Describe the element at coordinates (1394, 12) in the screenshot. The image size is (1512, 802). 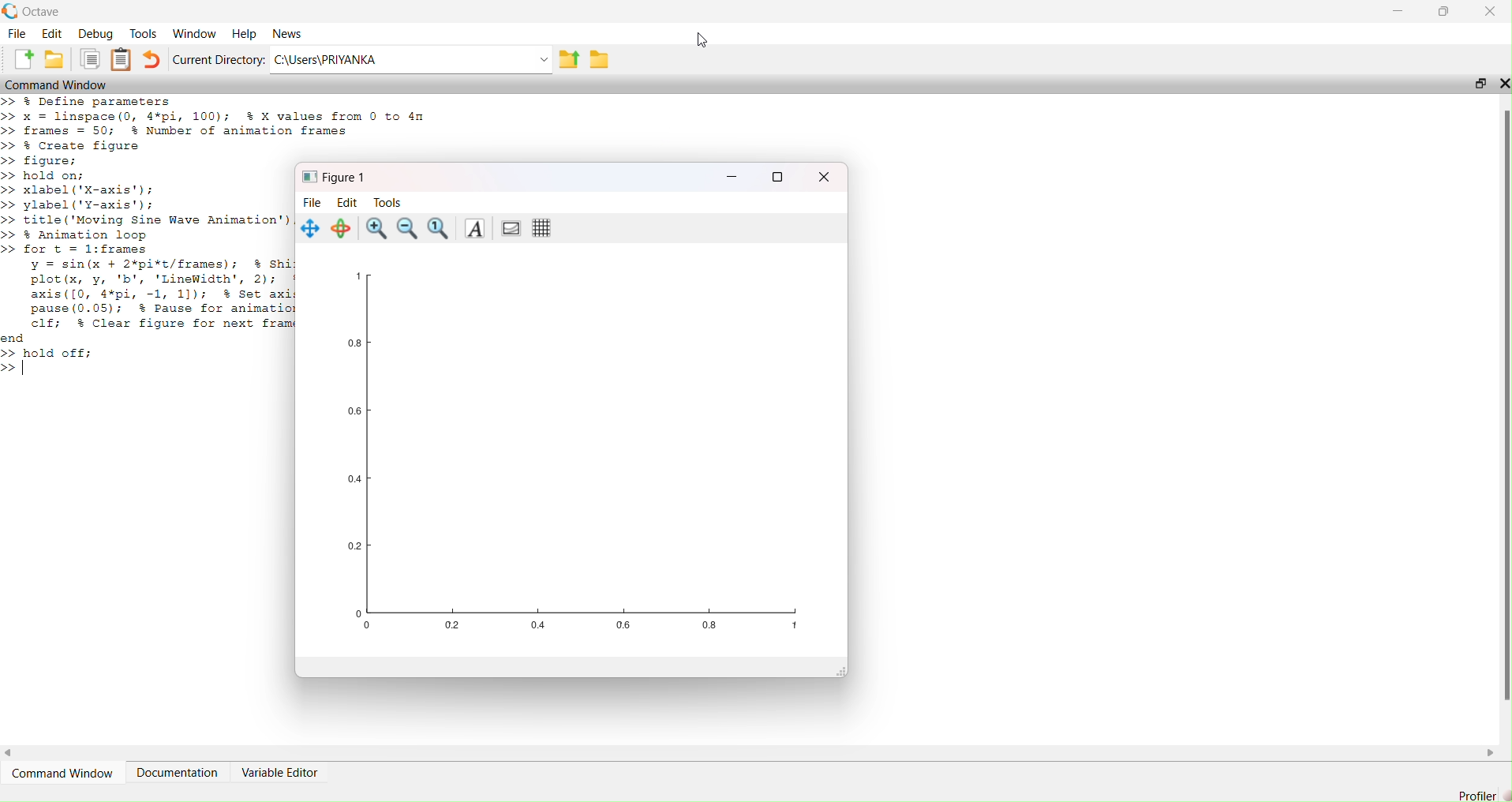
I see `minimise` at that location.